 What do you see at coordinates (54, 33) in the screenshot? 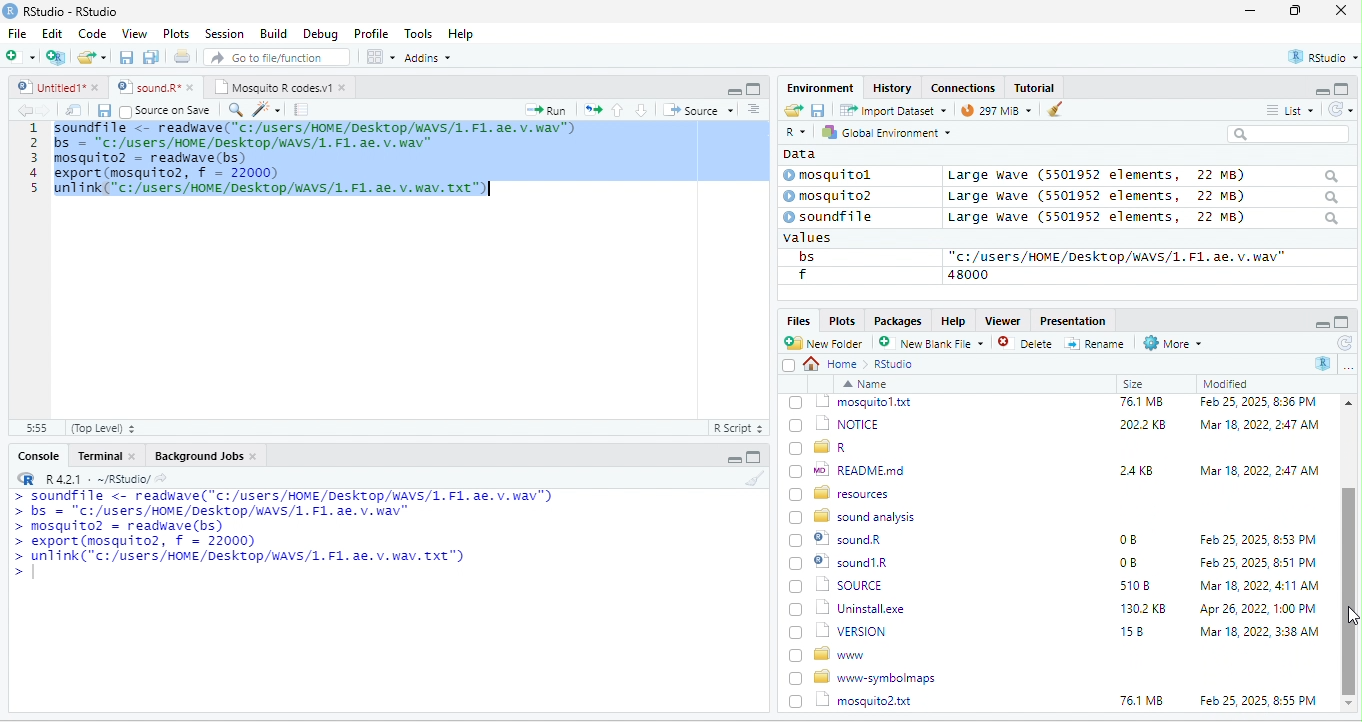
I see `Edit` at bounding box center [54, 33].